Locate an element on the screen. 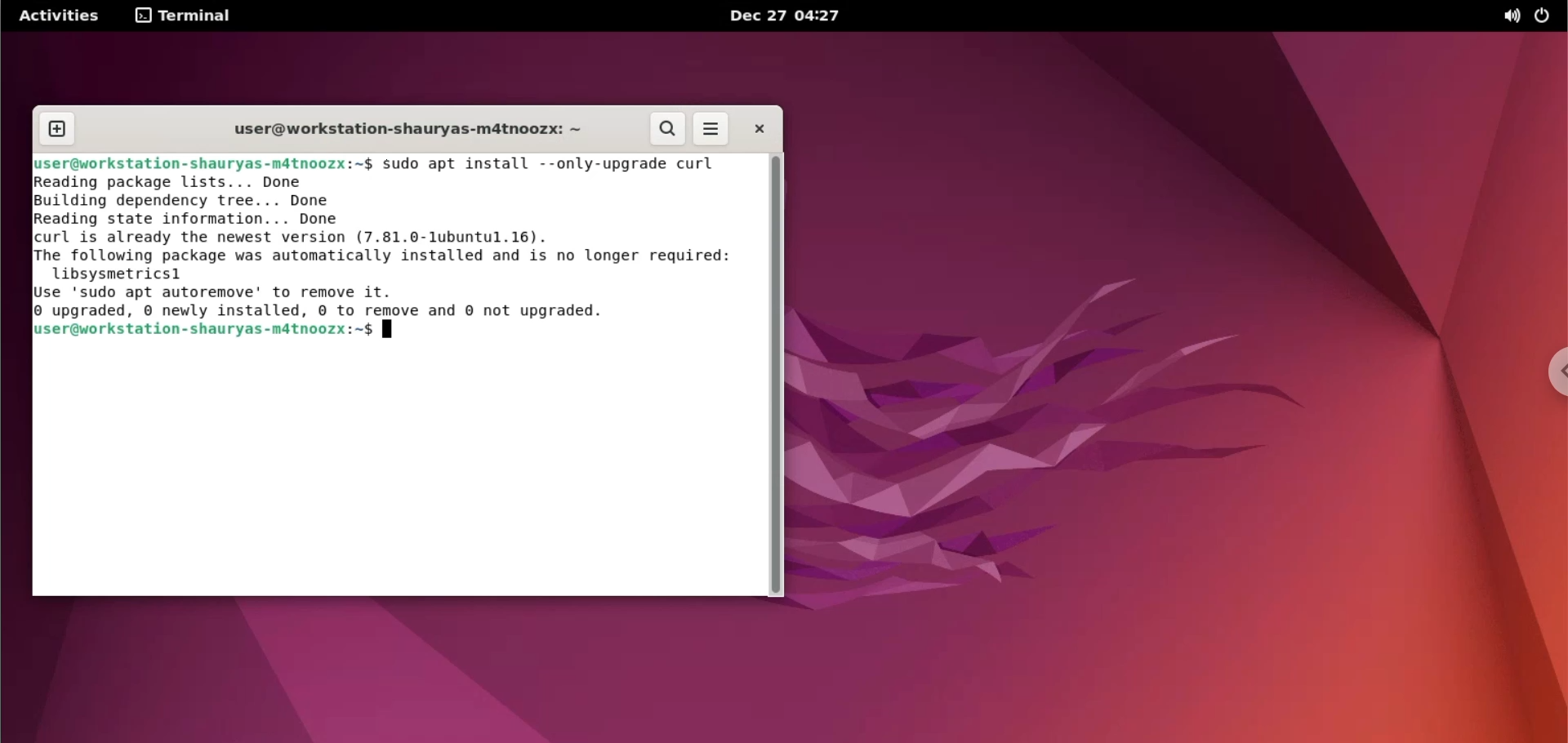 The width and height of the screenshot is (1568, 743). user@workstation-shauryas-m4tnoozx:-$ is located at coordinates (203, 331).